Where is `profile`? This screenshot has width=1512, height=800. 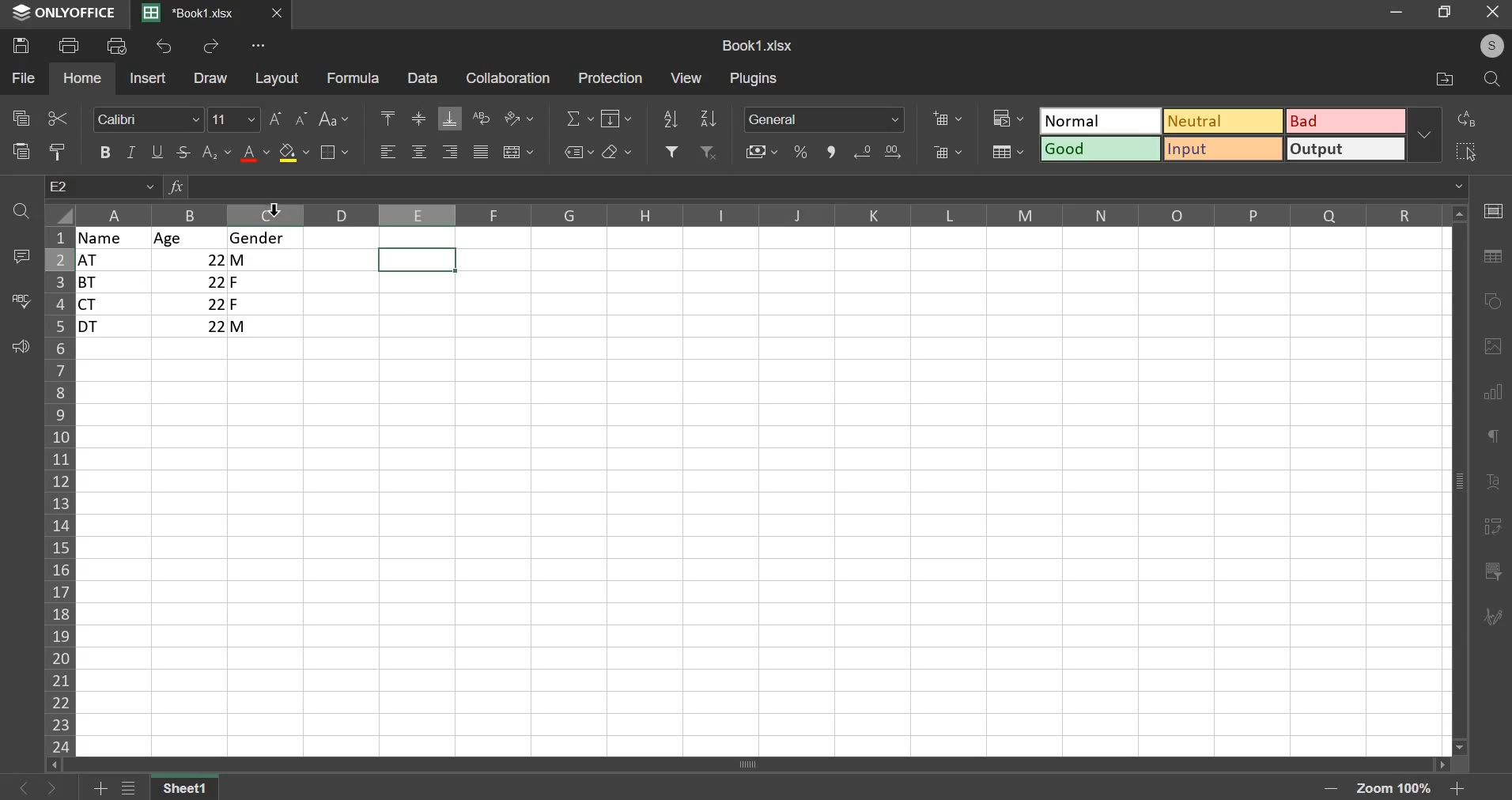
profile is located at coordinates (1492, 47).